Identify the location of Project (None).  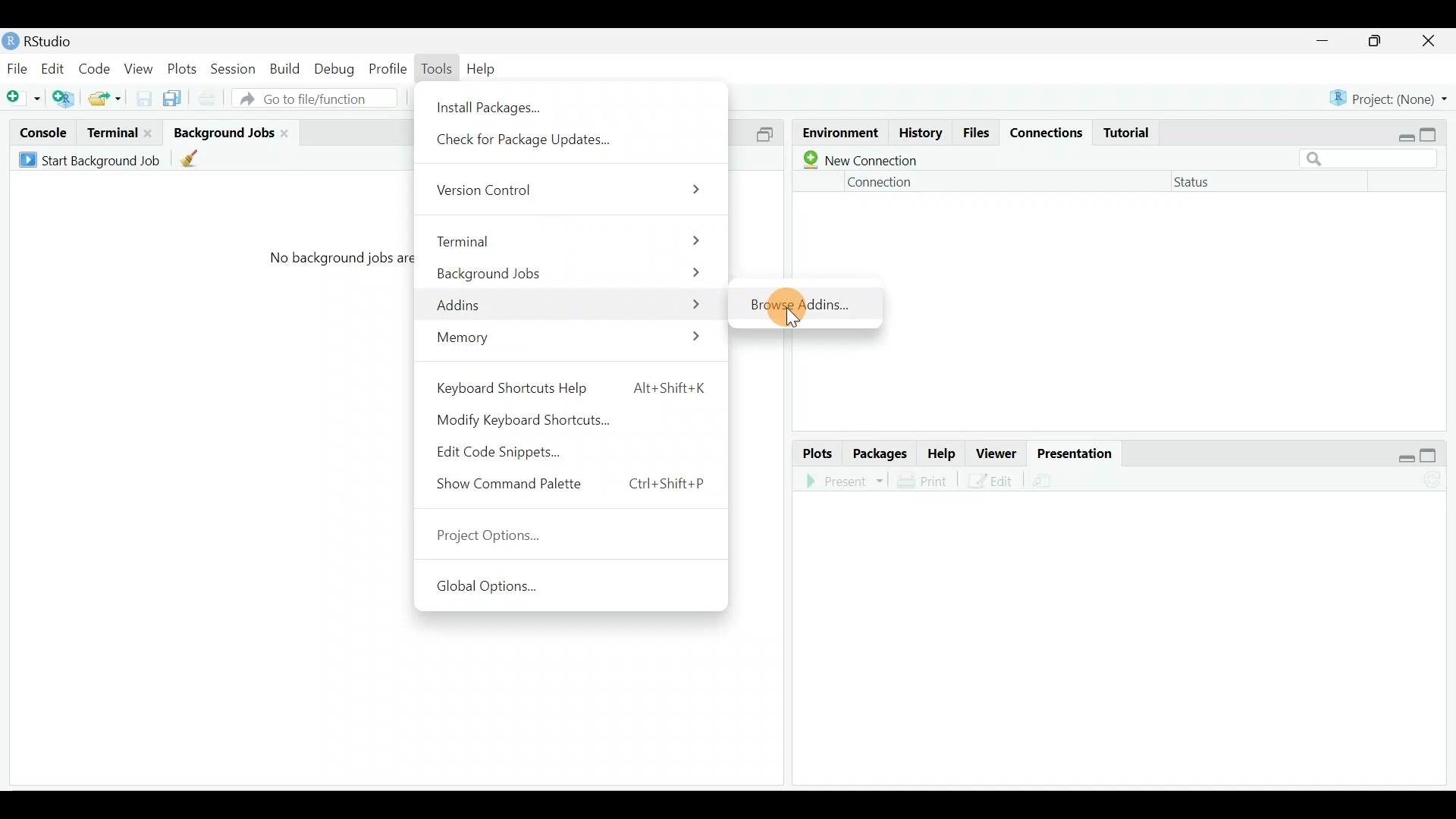
(1388, 99).